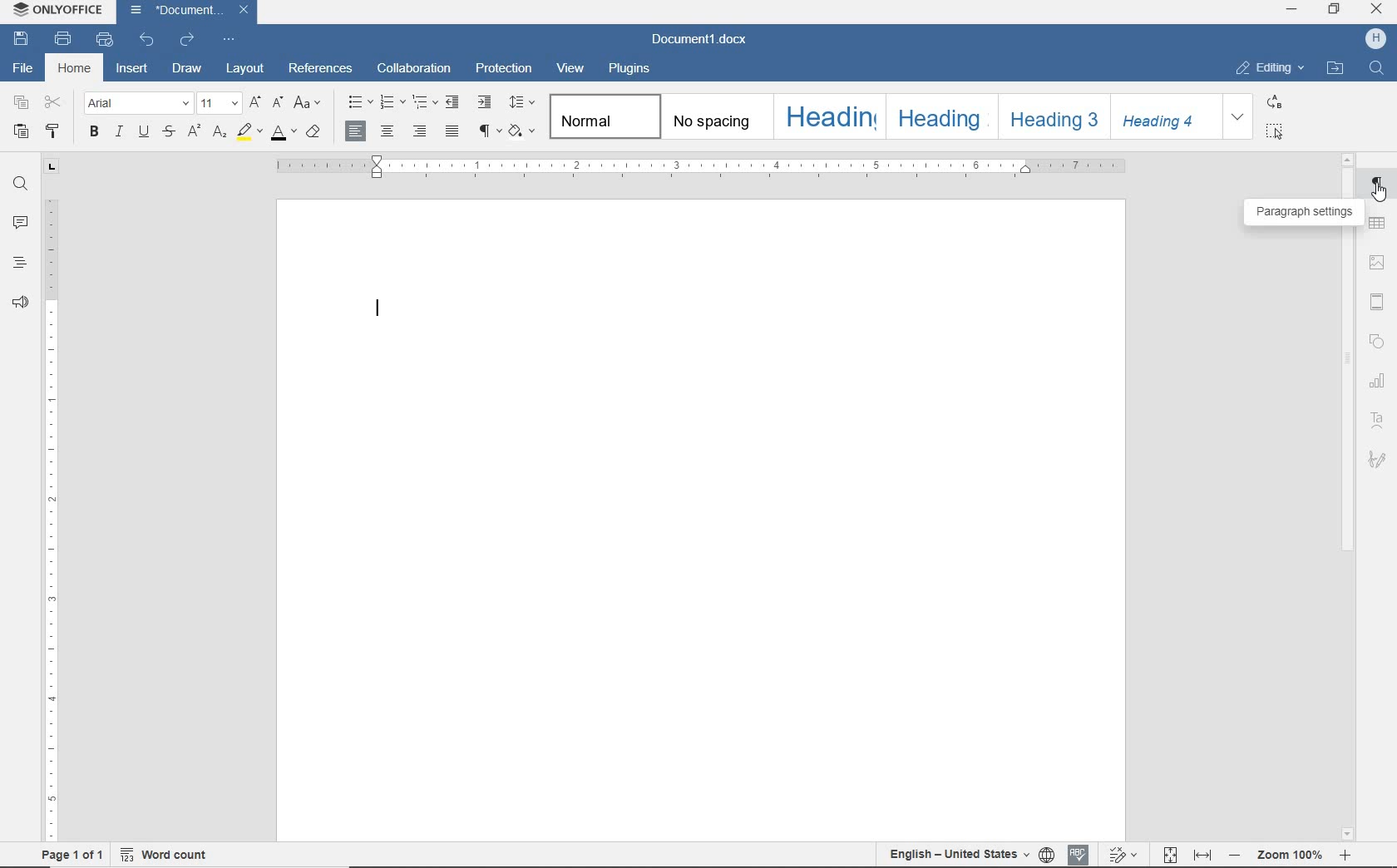  What do you see at coordinates (1046, 854) in the screenshot?
I see `select document language` at bounding box center [1046, 854].